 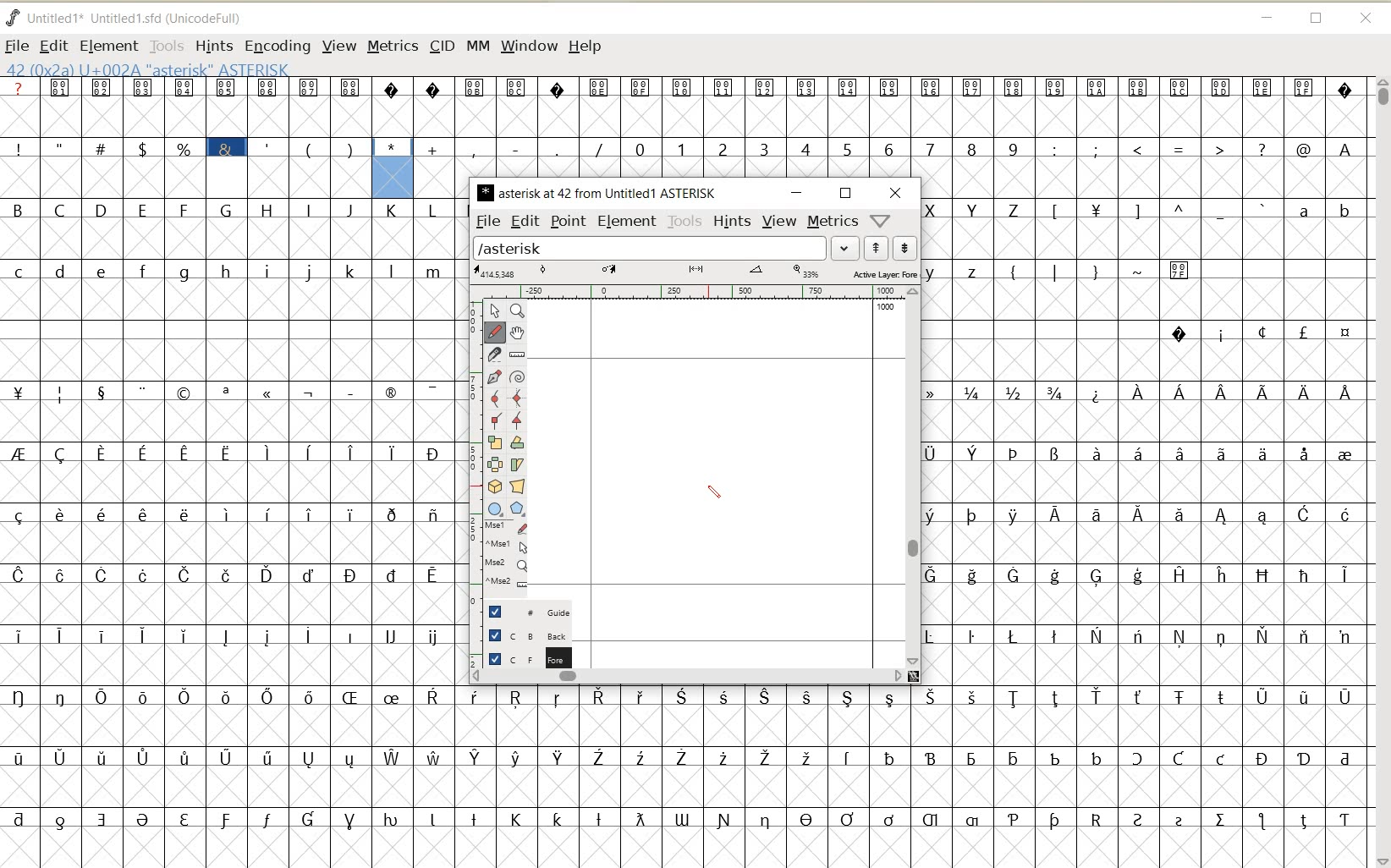 What do you see at coordinates (213, 47) in the screenshot?
I see `HINTS` at bounding box center [213, 47].